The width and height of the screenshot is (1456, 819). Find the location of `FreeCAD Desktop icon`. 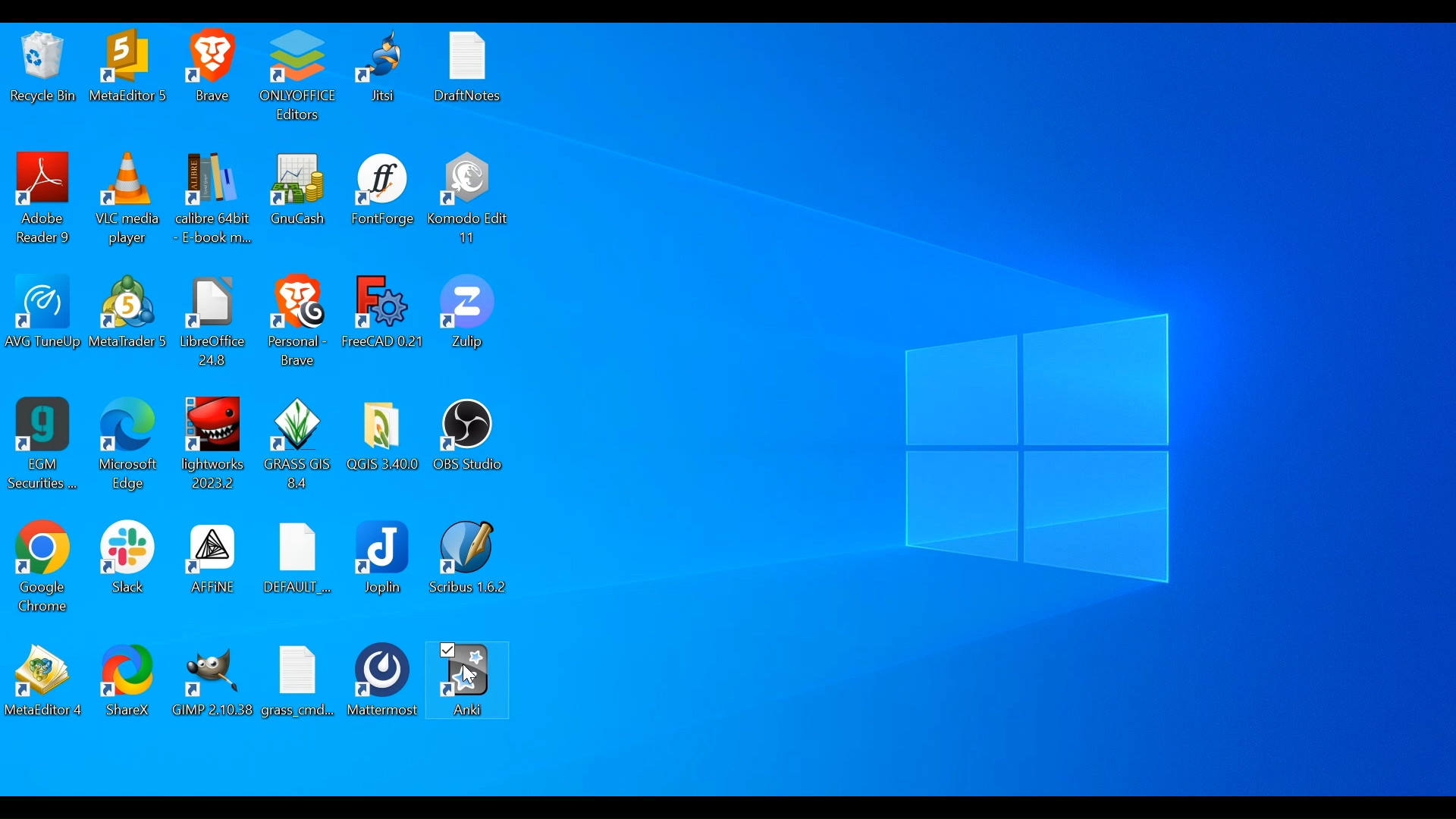

FreeCAD Desktop icon is located at coordinates (383, 311).